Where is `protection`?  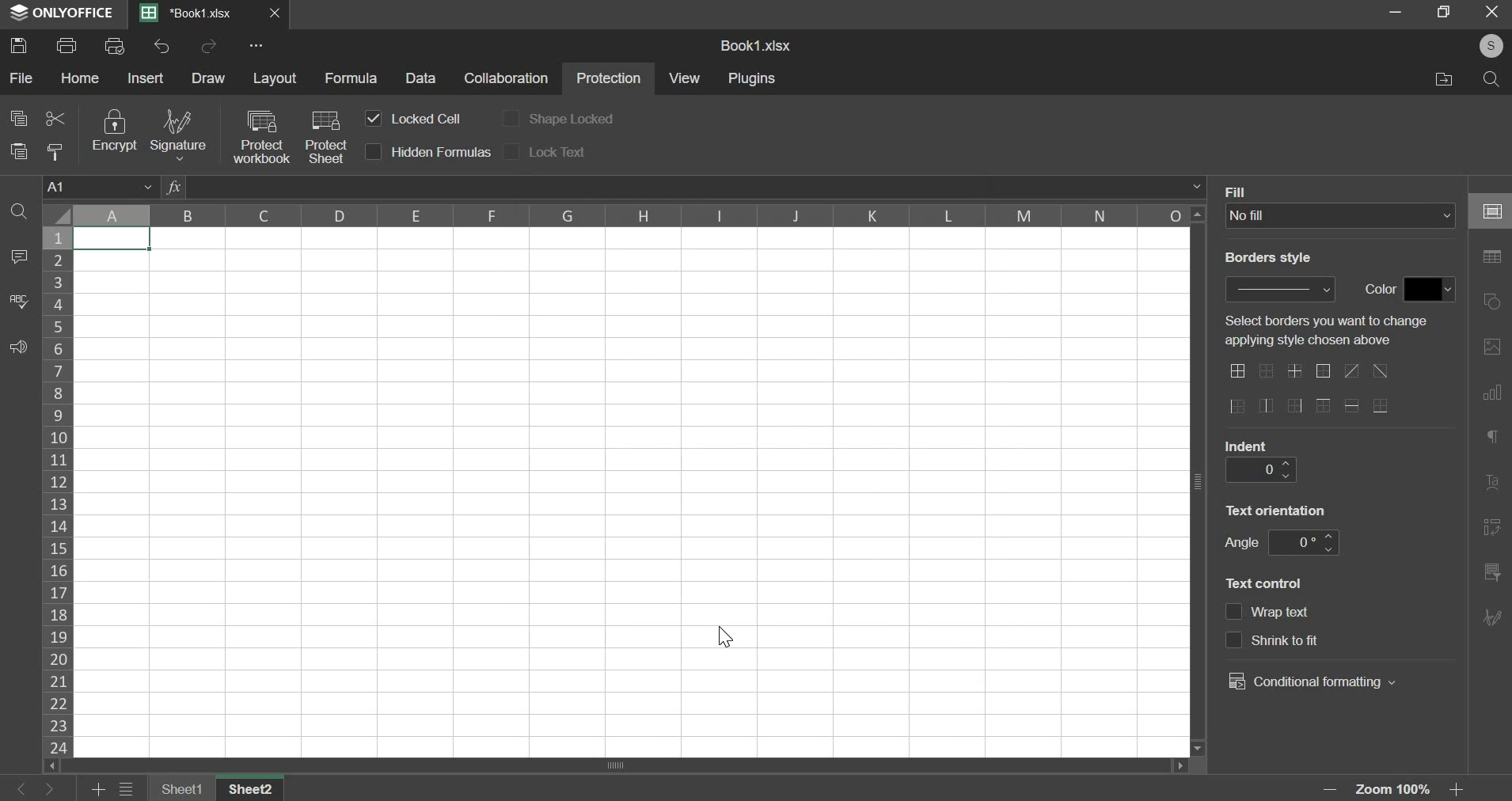 protection is located at coordinates (609, 80).